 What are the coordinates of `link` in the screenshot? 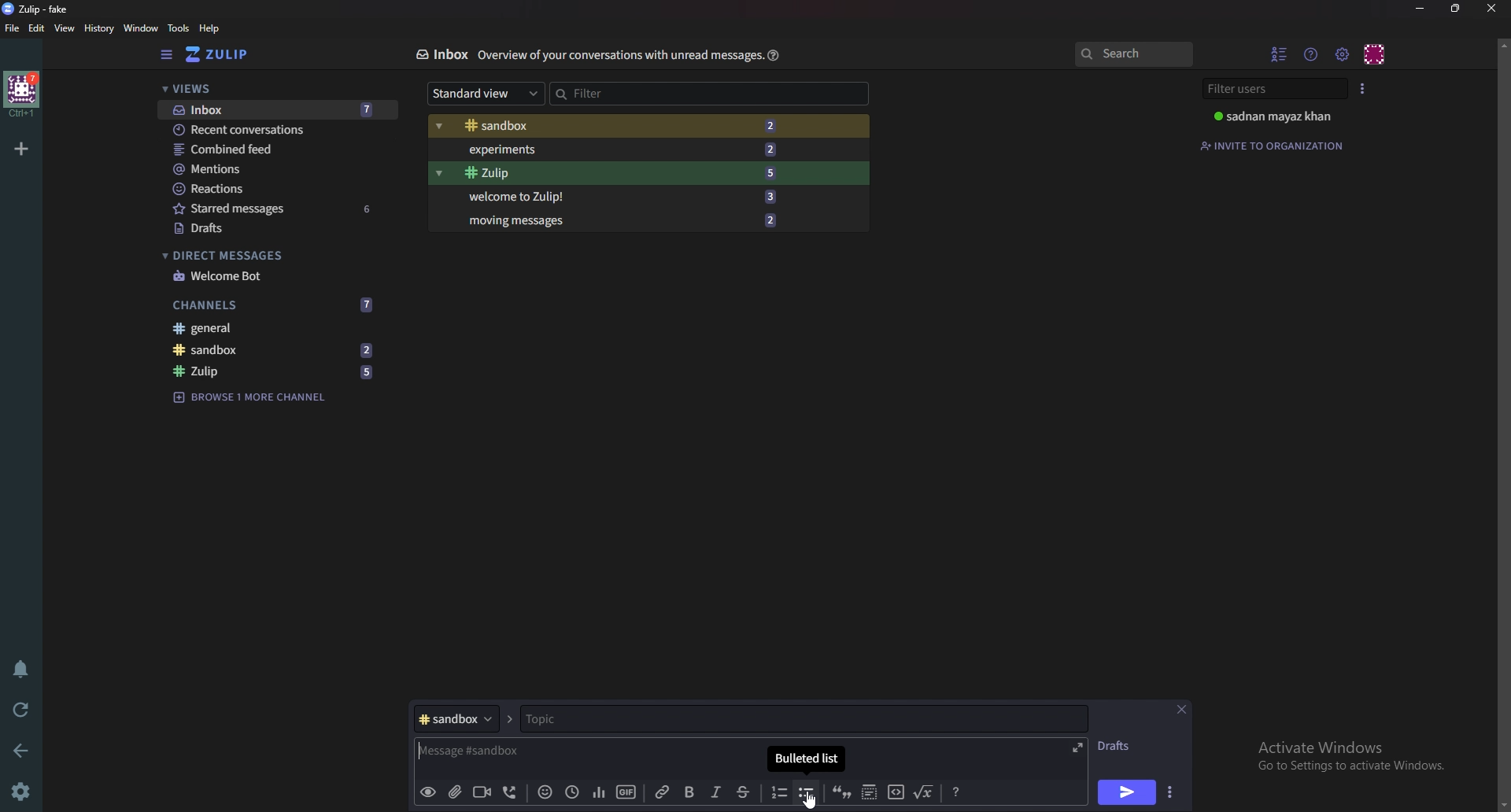 It's located at (665, 792).